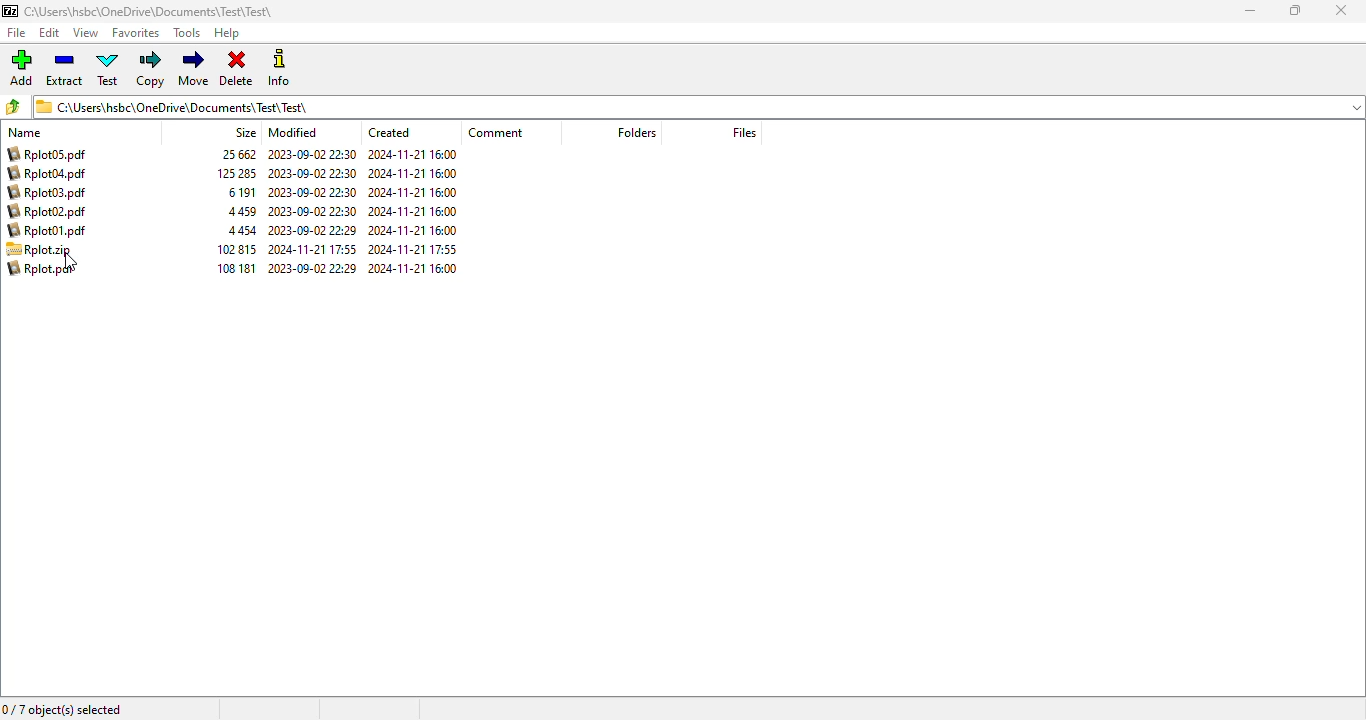  I want to click on close, so click(1340, 10).